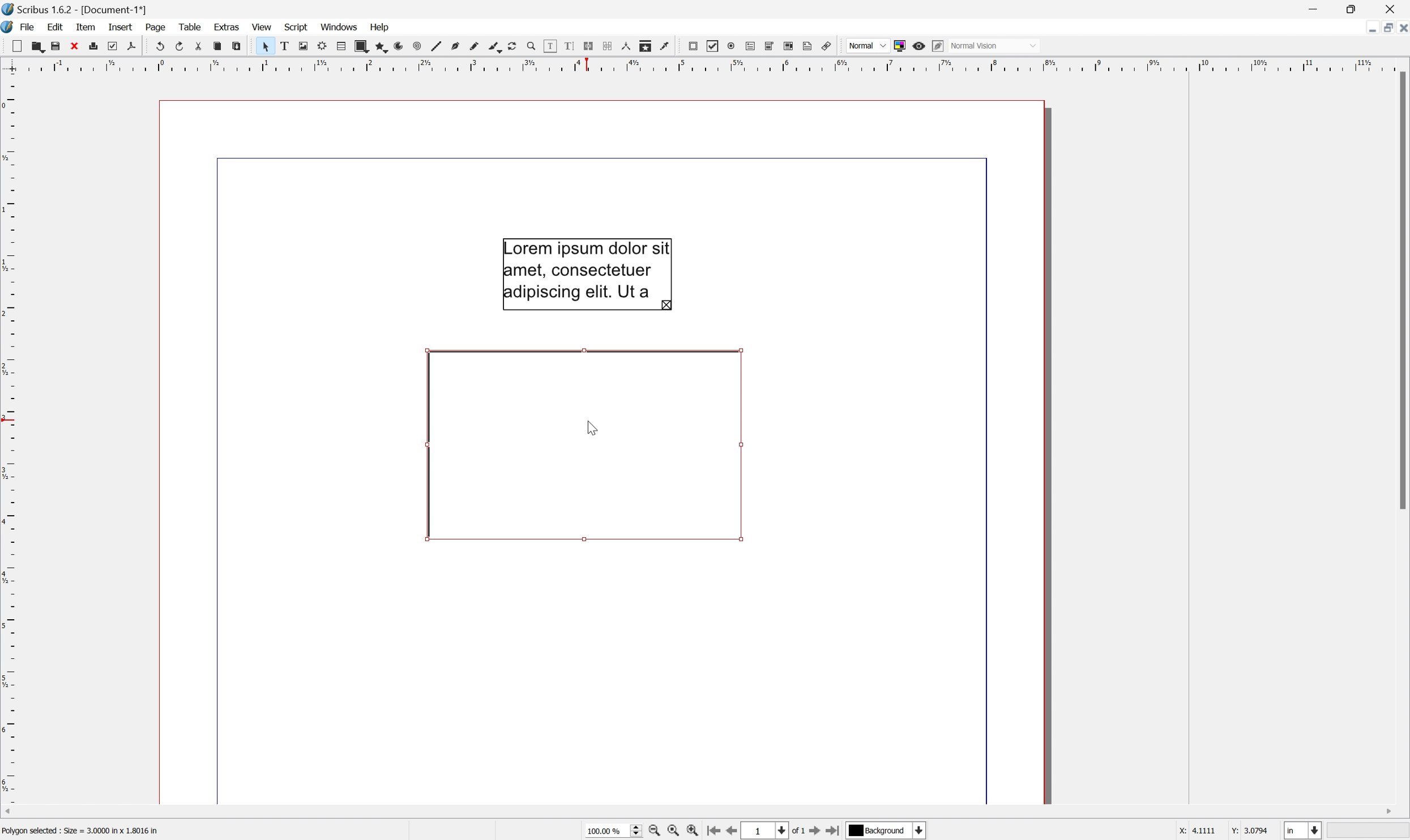 This screenshot has width=1410, height=840. I want to click on Preflight verifier, so click(112, 47).